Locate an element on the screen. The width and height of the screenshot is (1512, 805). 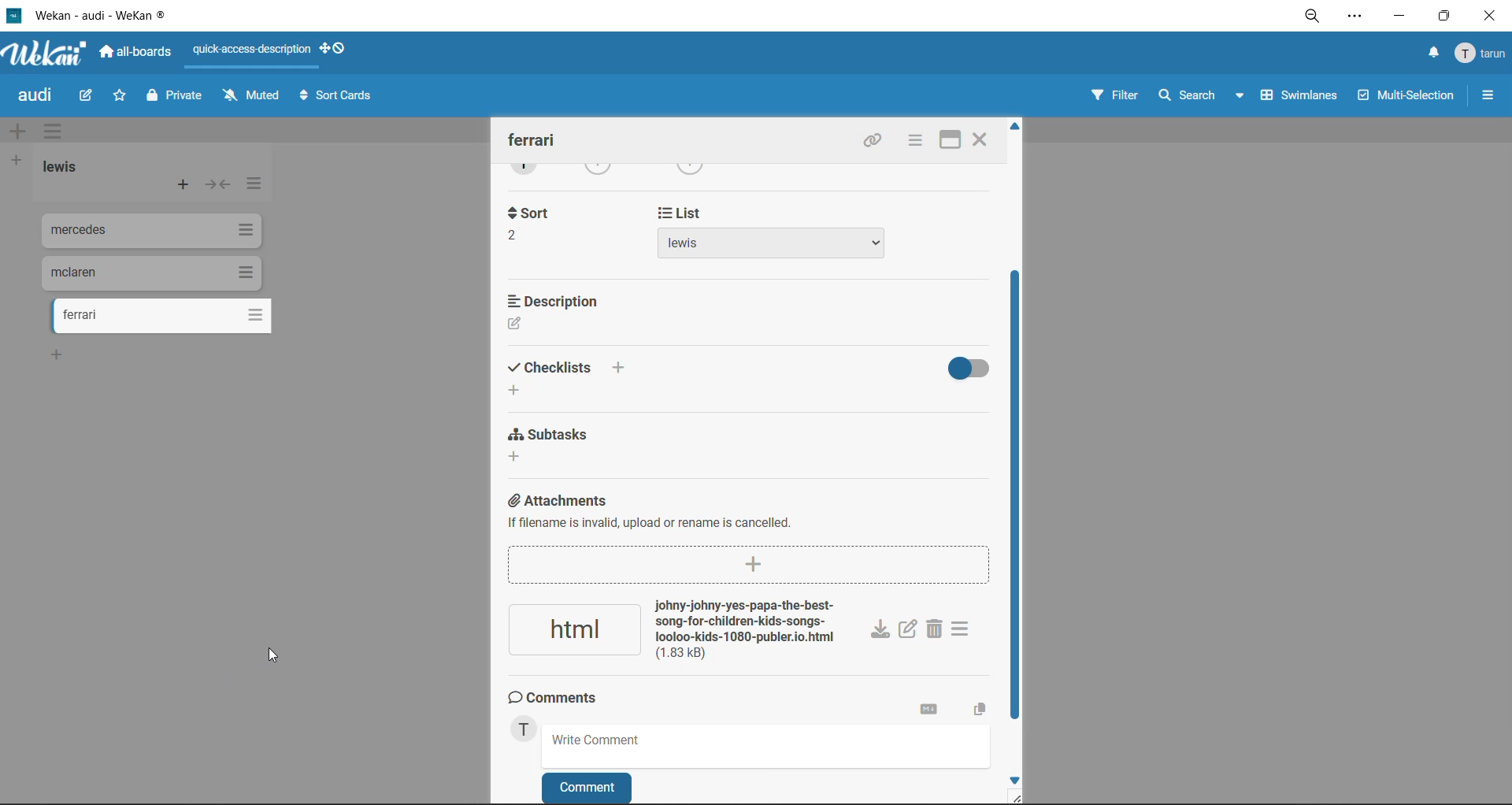
write comment is located at coordinates (747, 746).